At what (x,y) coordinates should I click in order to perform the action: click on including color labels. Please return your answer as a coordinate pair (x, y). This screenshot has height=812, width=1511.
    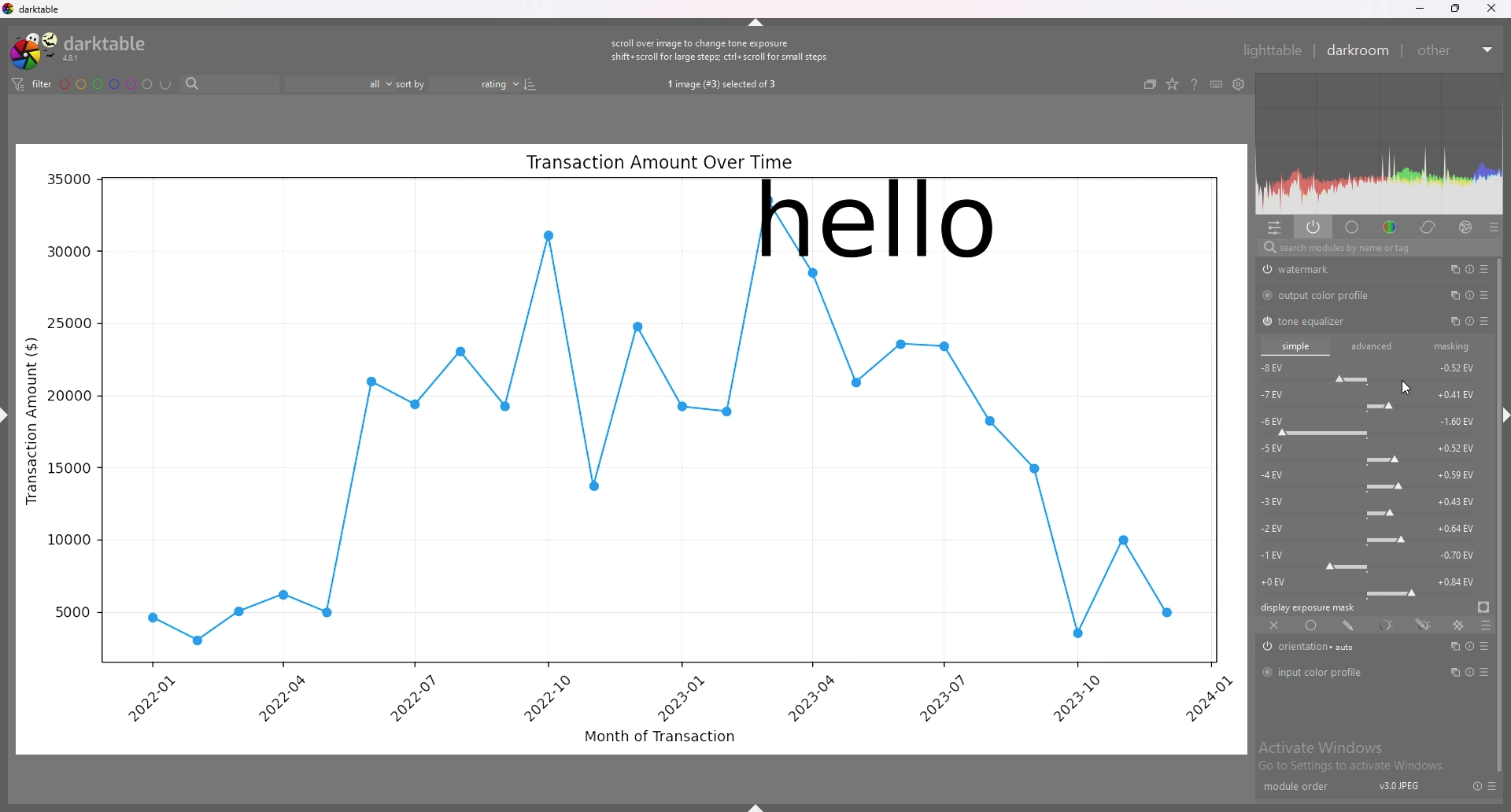
    Looking at the image, I should click on (166, 85).